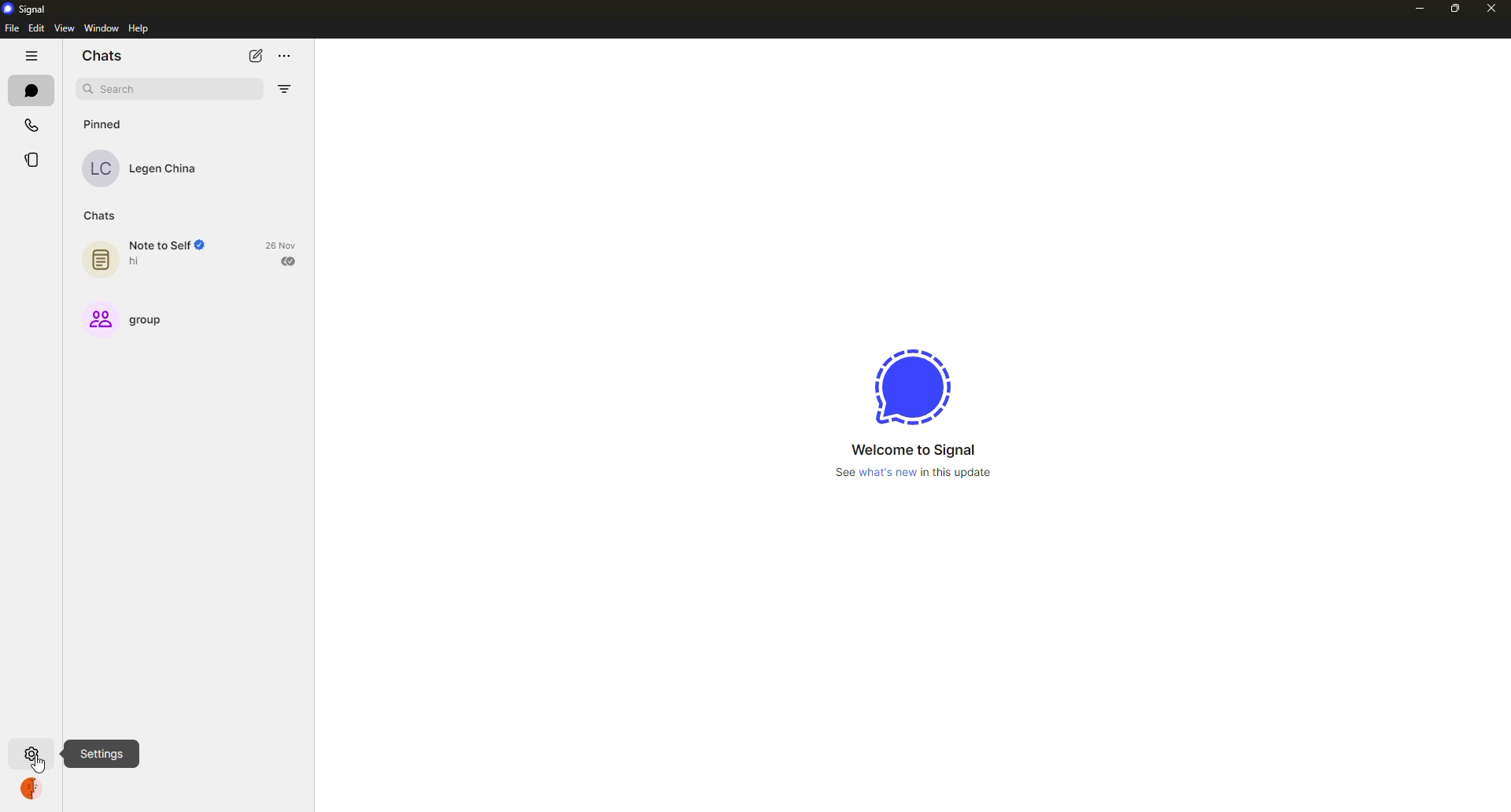 The image size is (1511, 812). I want to click on note to self, so click(172, 245).